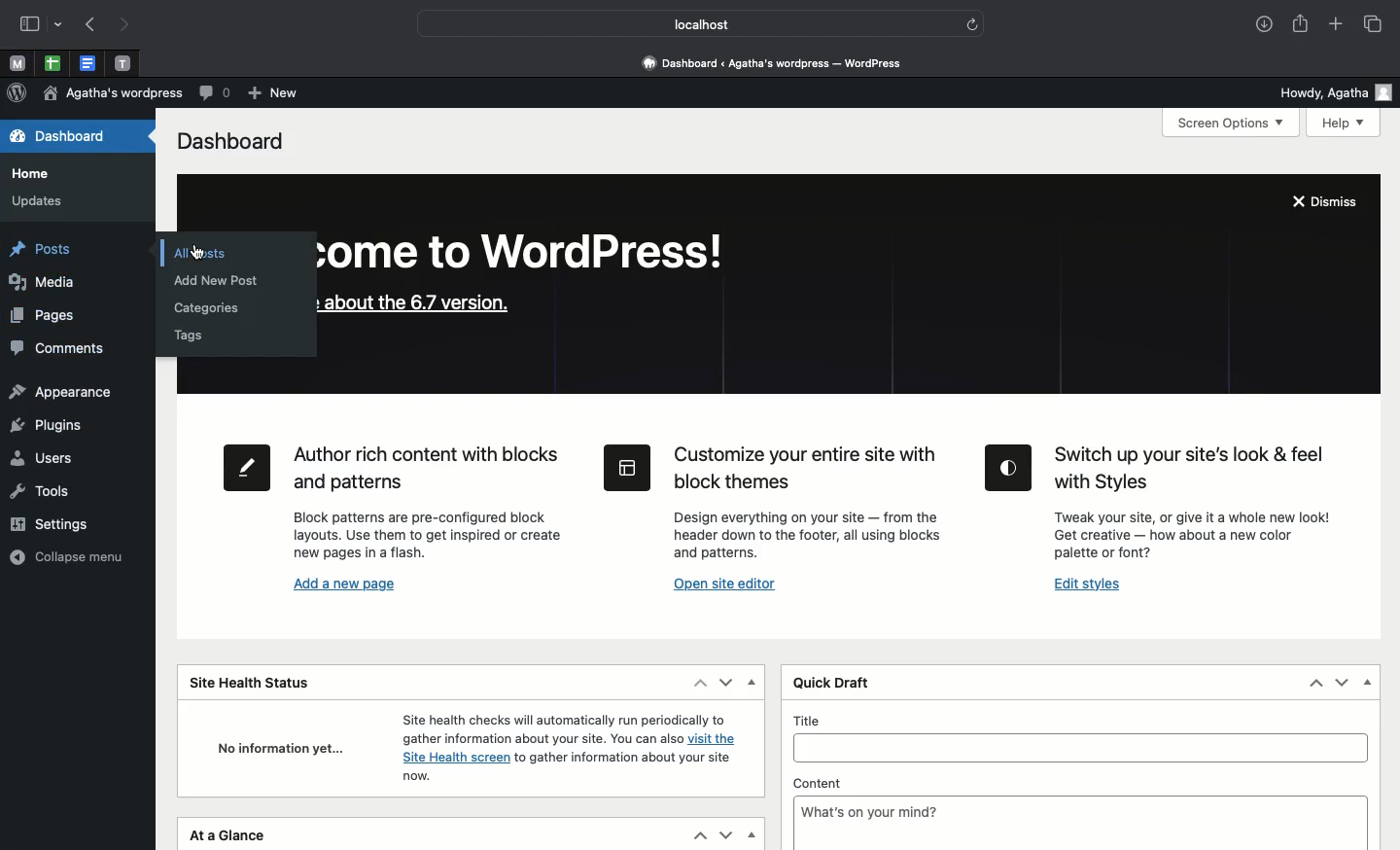 The width and height of the screenshot is (1400, 850). I want to click on Posts, so click(49, 249).